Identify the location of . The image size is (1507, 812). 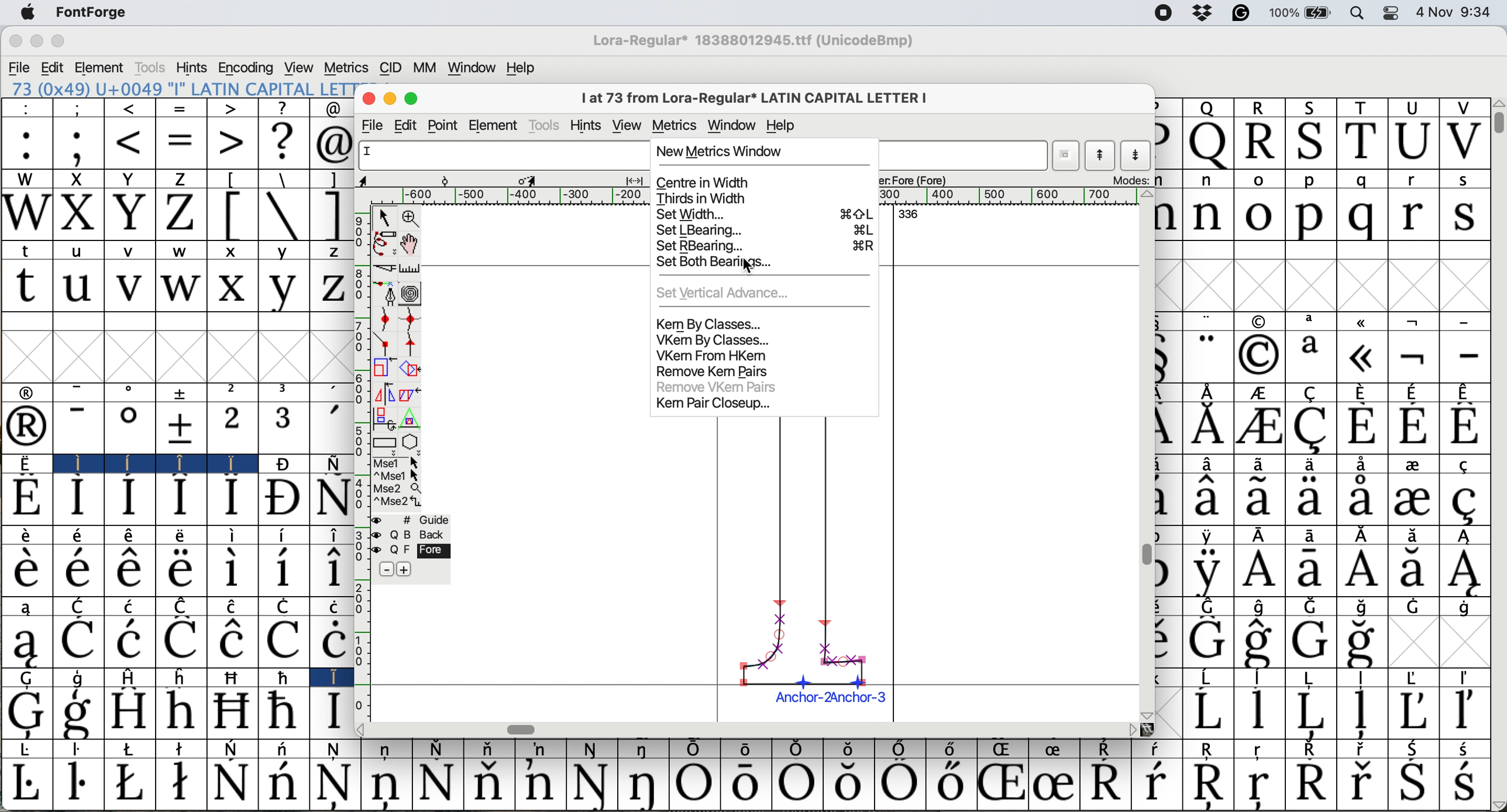
(528, 180).